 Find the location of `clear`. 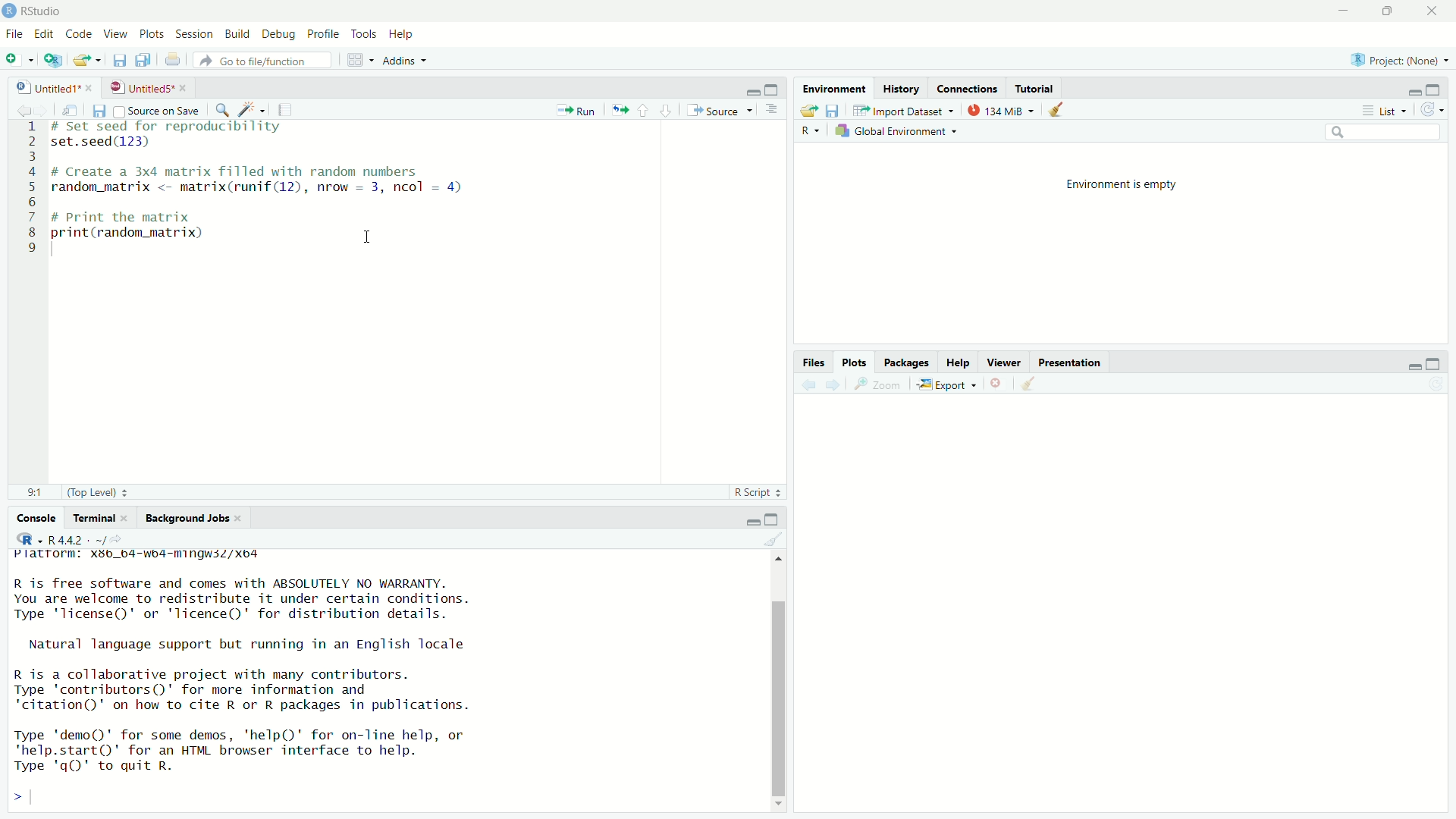

clear is located at coordinates (773, 540).